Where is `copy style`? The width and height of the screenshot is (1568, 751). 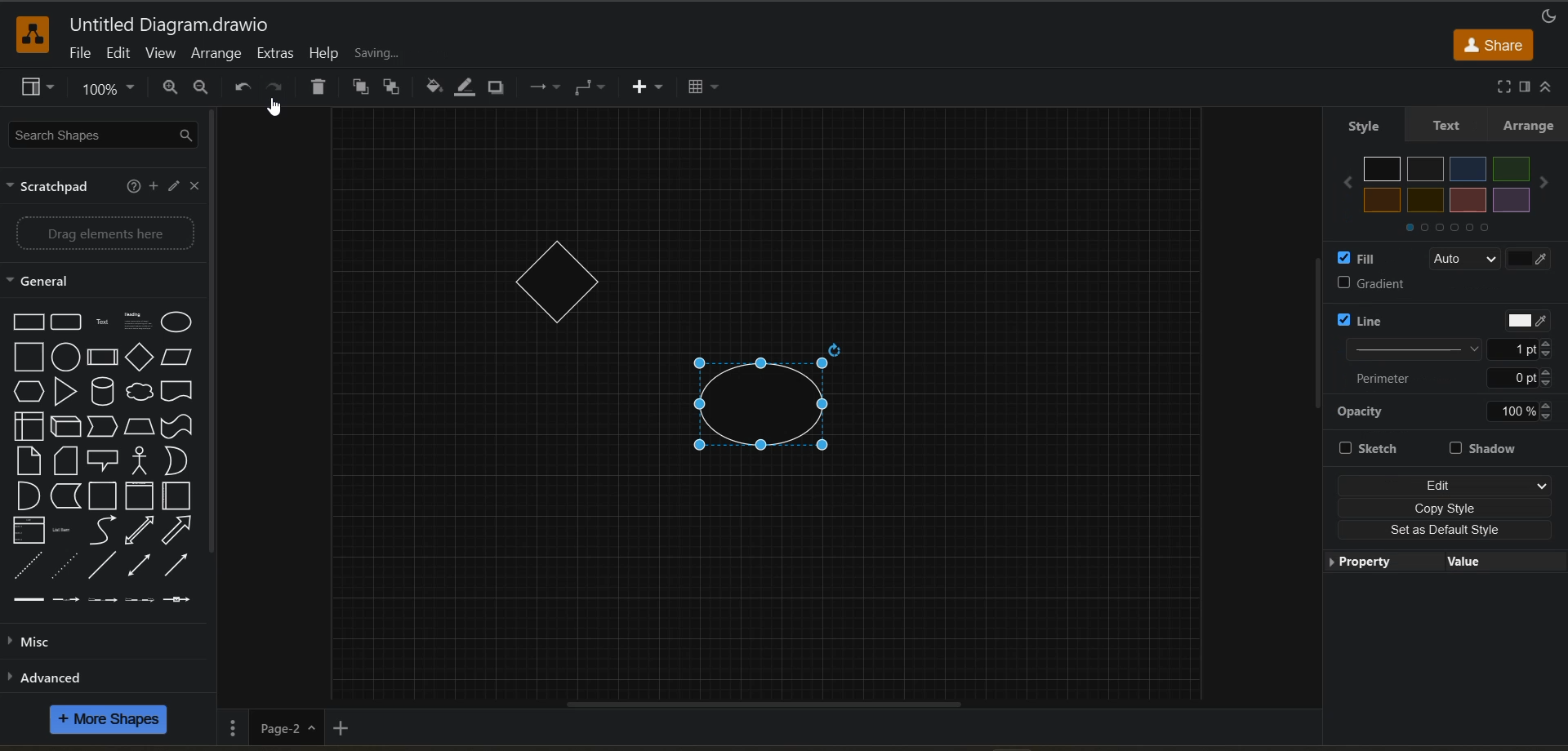
copy style is located at coordinates (1446, 509).